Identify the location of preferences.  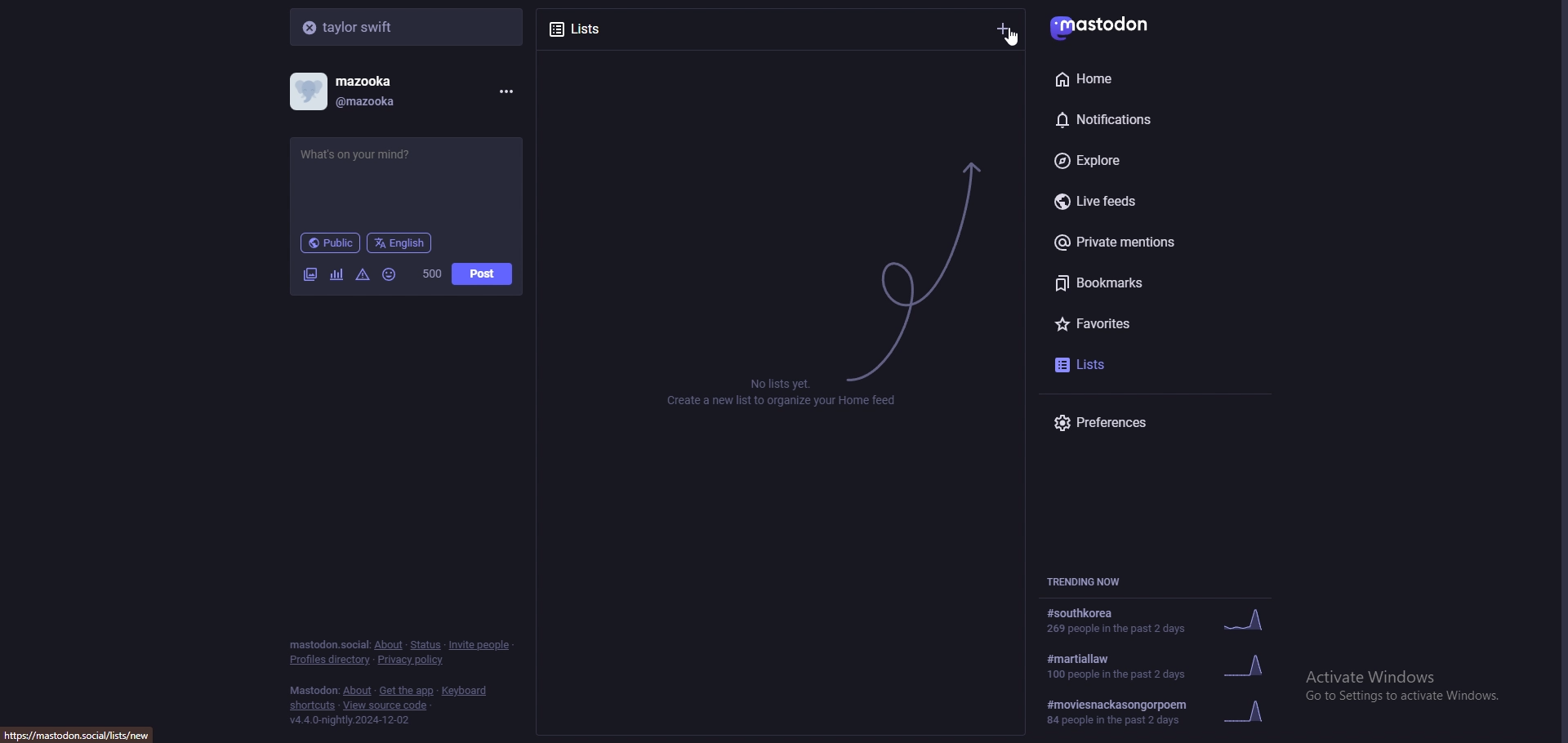
(1160, 422).